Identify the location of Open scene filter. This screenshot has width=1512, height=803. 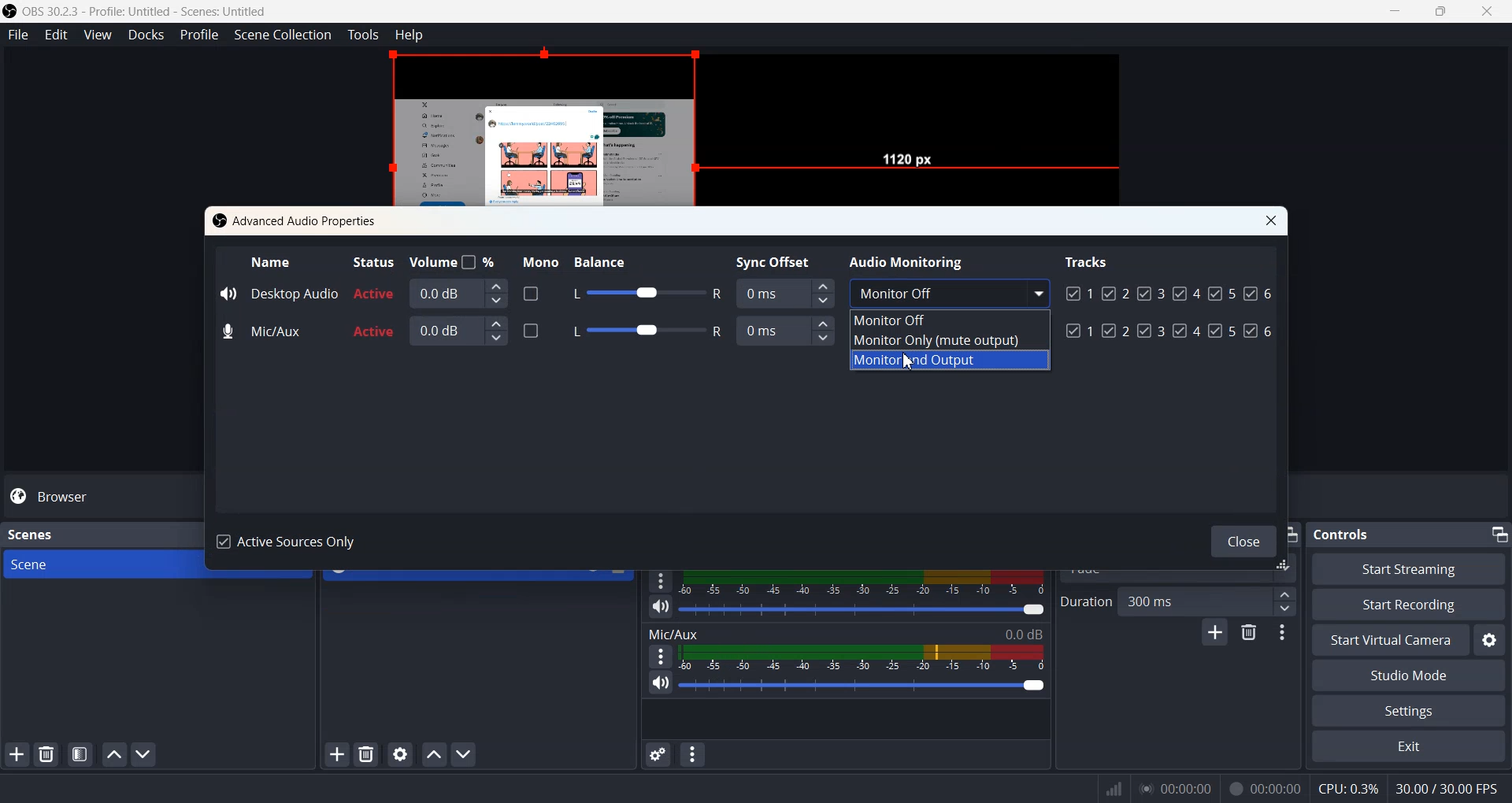
(80, 756).